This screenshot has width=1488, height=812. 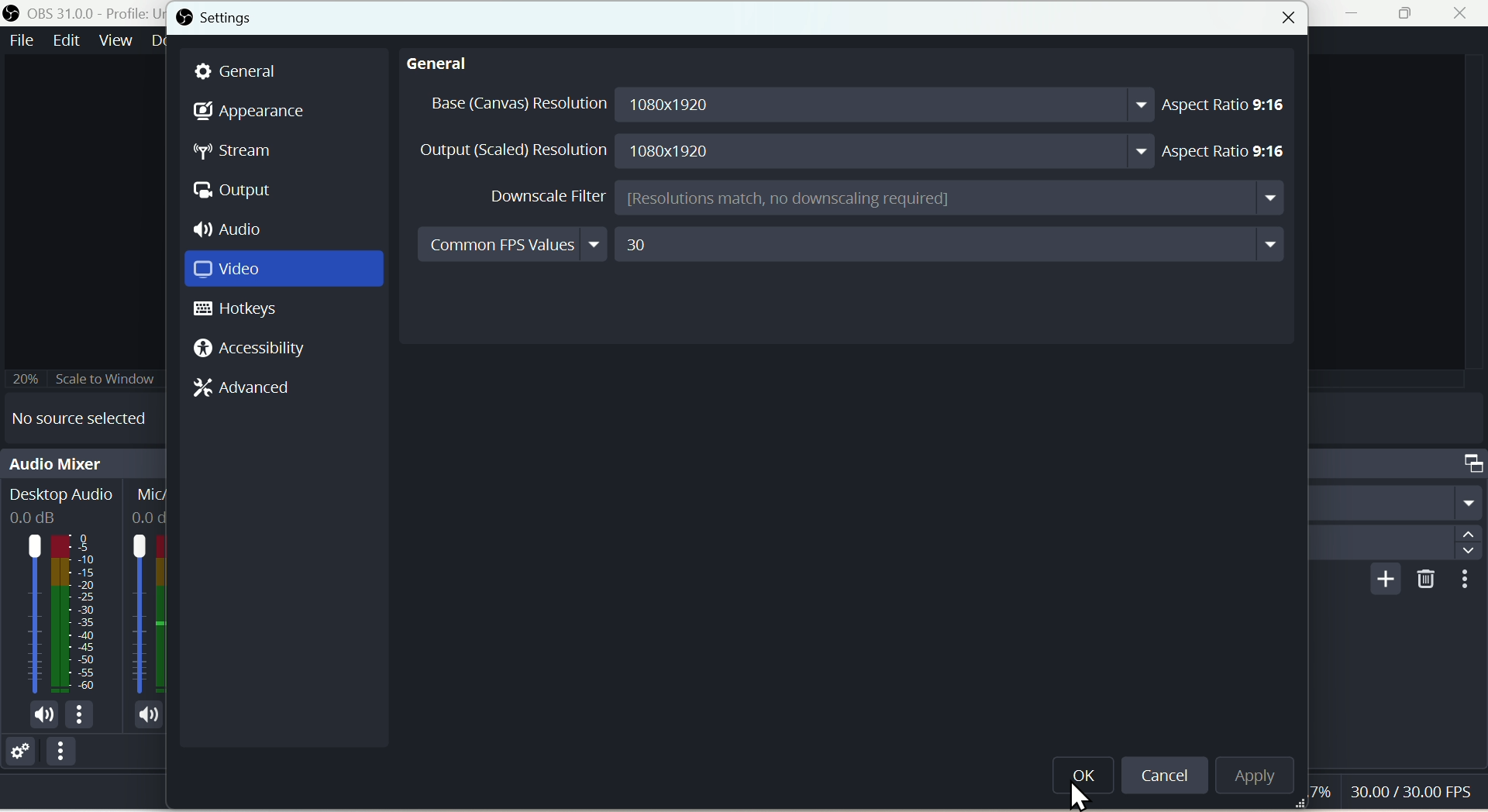 I want to click on Appearance, so click(x=250, y=109).